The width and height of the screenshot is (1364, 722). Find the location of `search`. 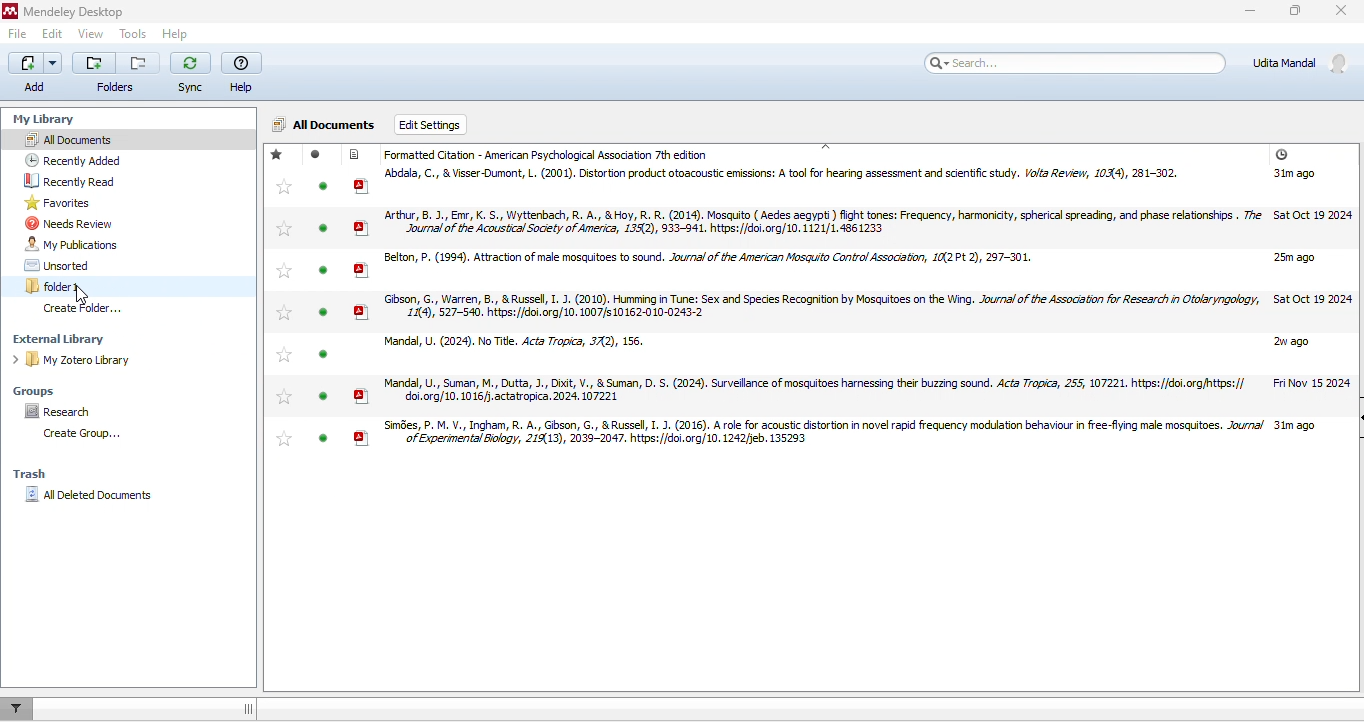

search is located at coordinates (1071, 63).